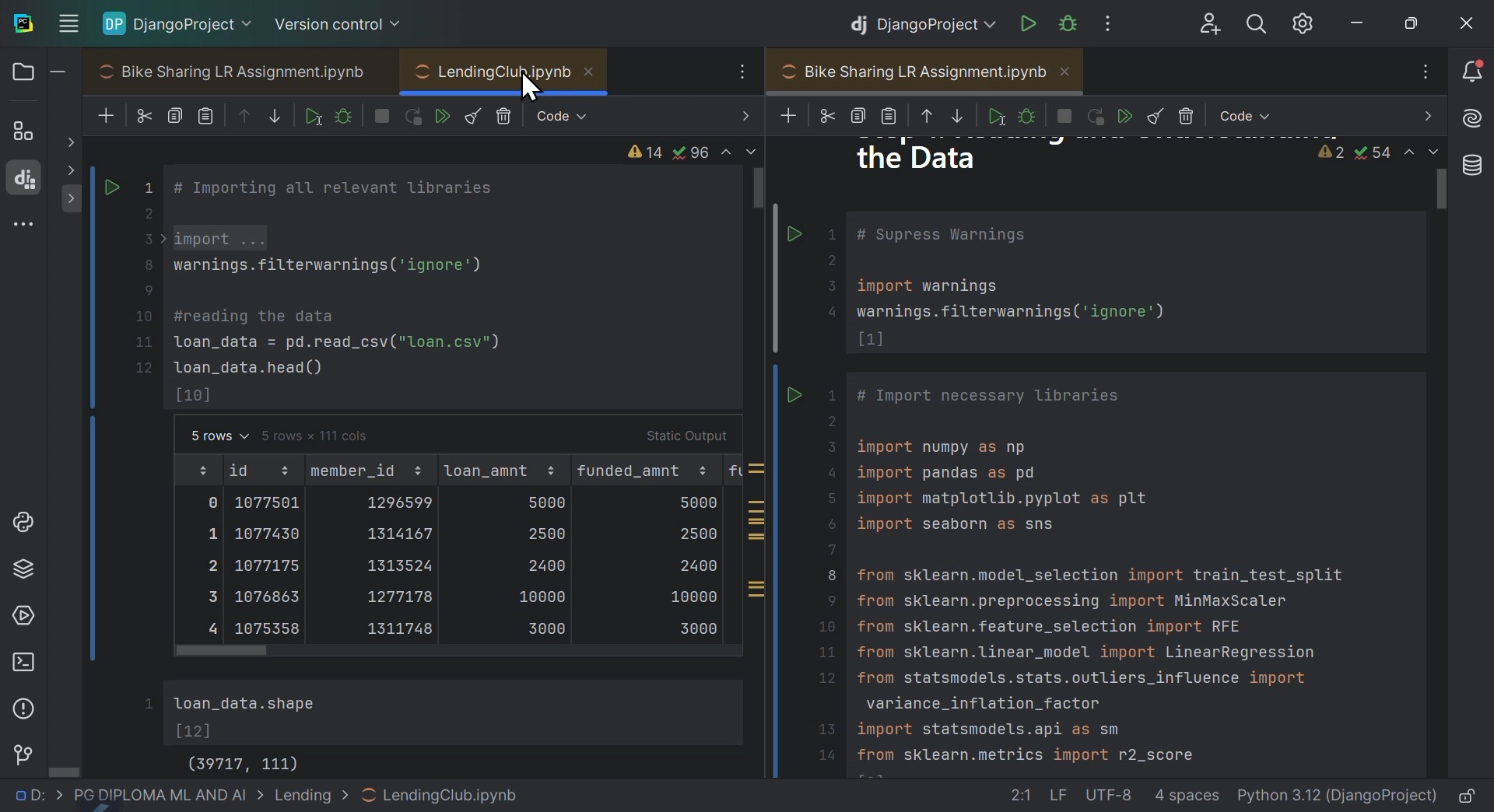 This screenshot has width=1494, height=812. I want to click on show, so click(69, 169).